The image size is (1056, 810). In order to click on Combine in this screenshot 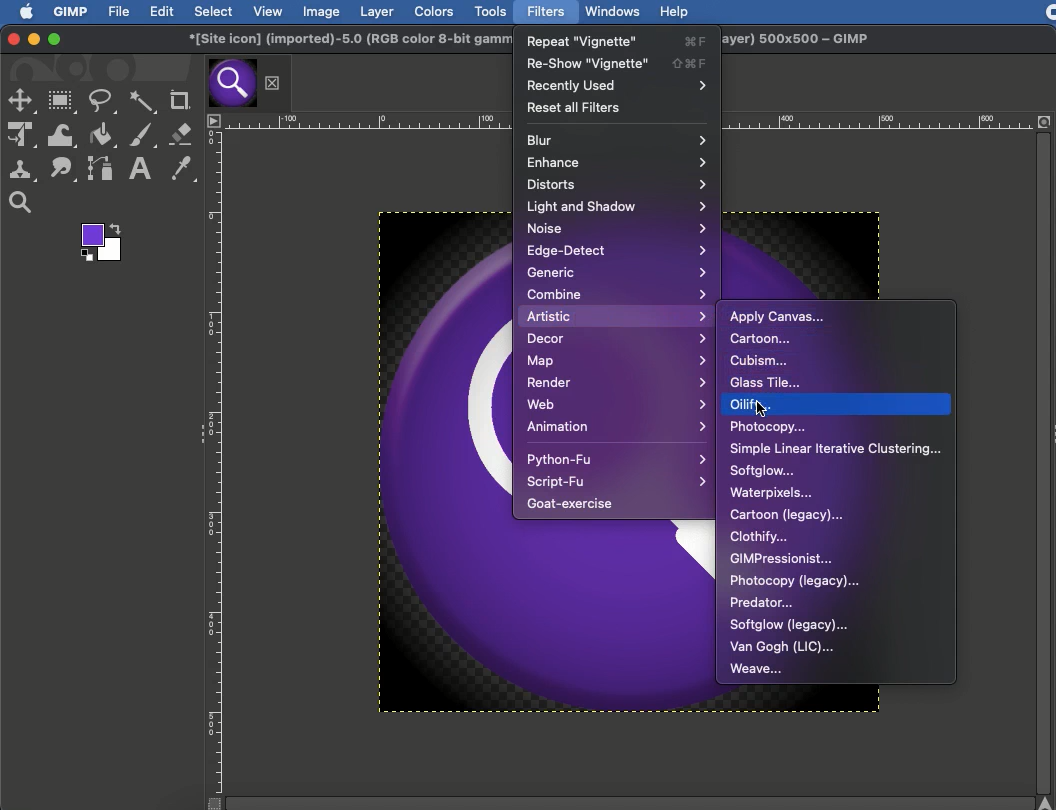, I will do `click(618, 294)`.